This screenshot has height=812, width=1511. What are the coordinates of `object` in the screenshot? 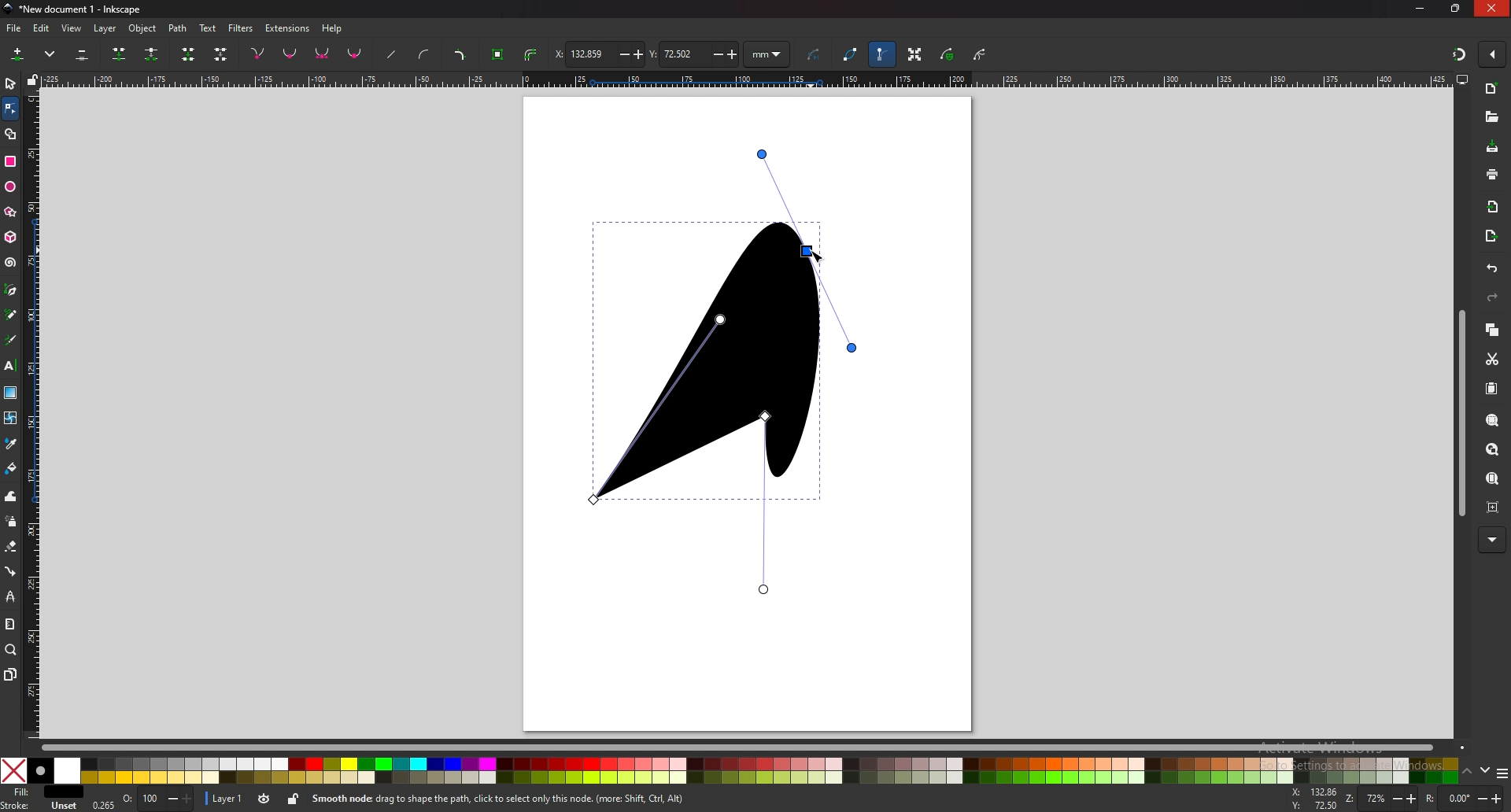 It's located at (145, 28).